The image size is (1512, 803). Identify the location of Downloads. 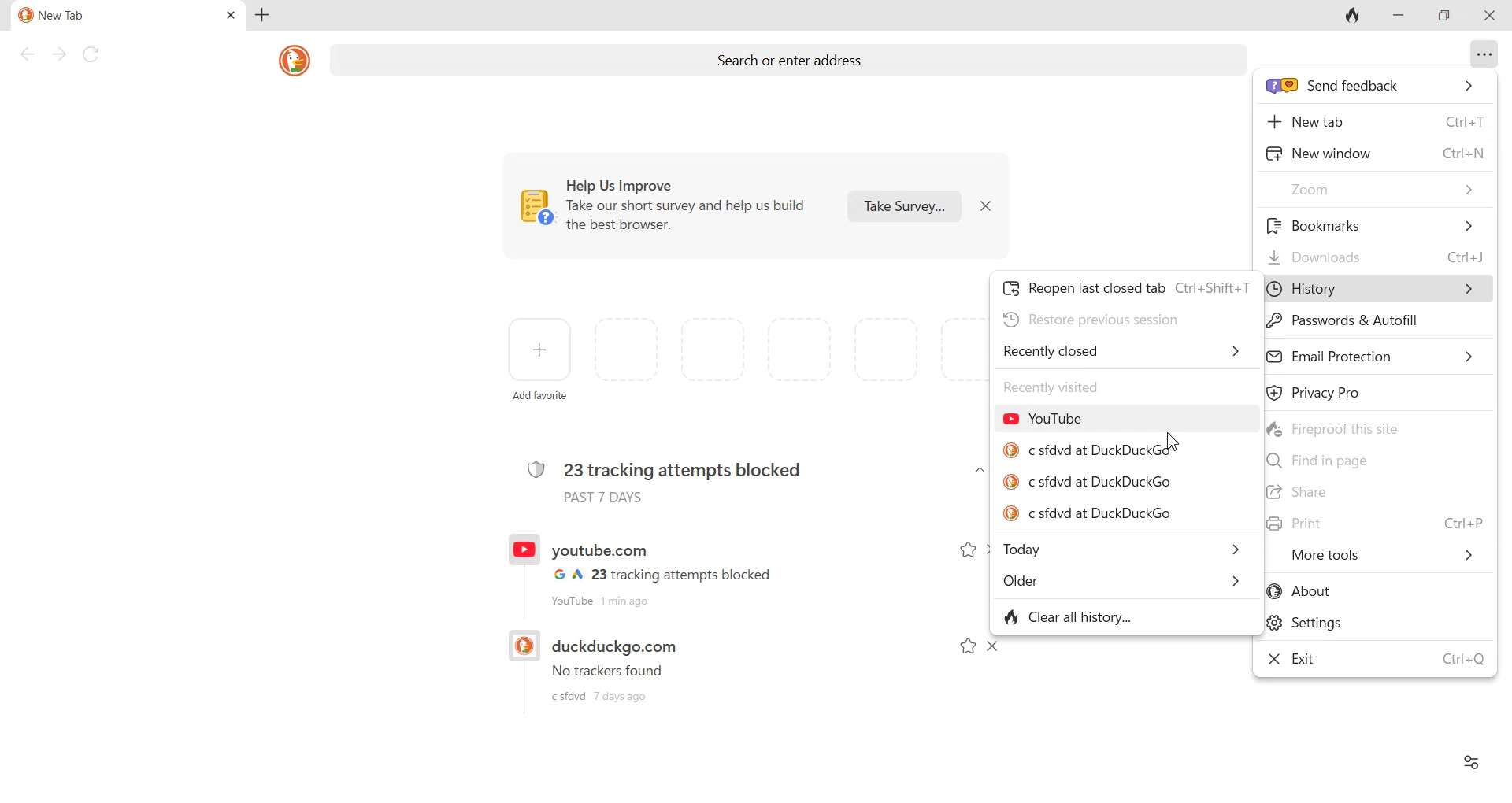
(1374, 257).